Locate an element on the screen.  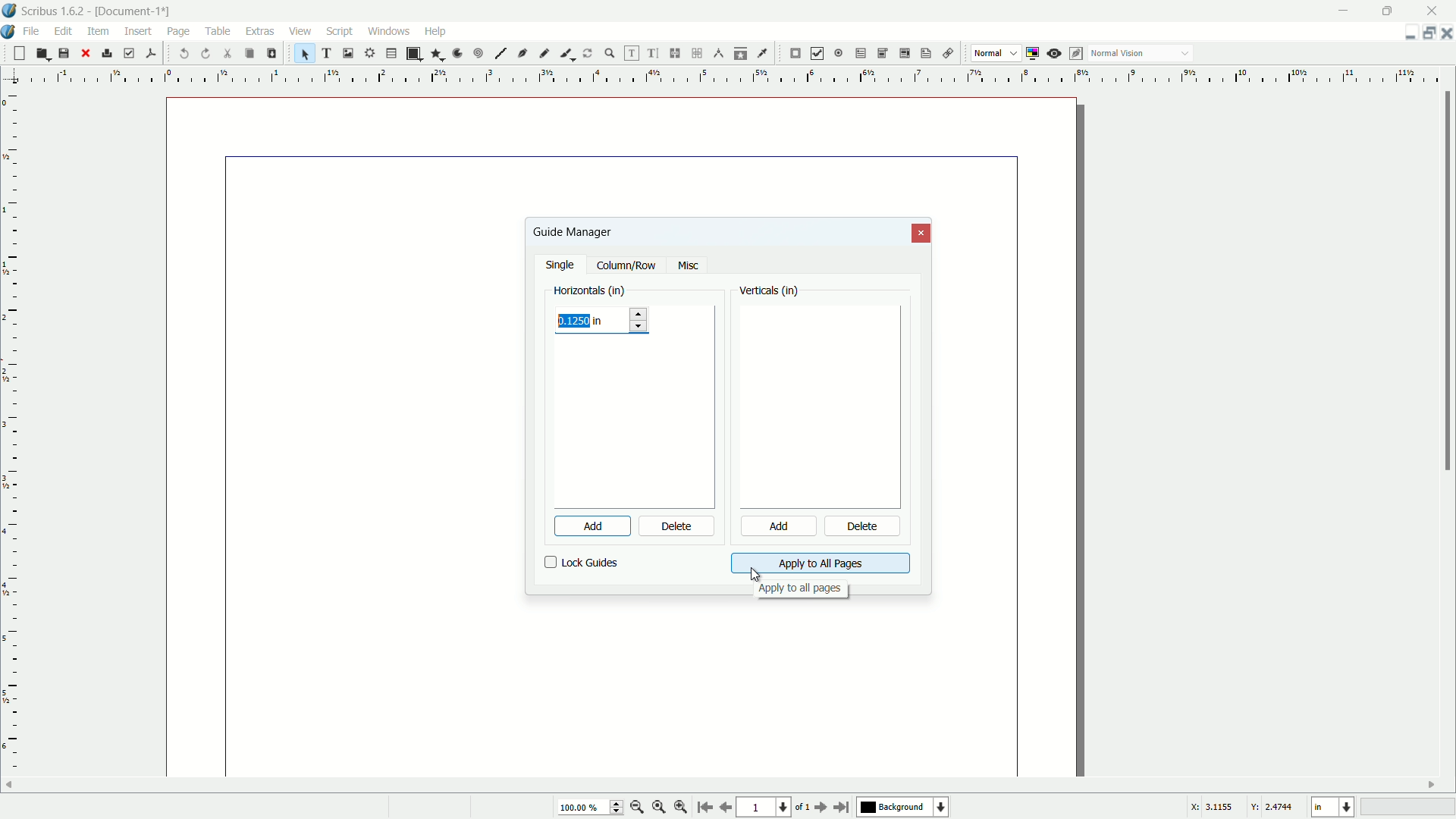
table menu is located at coordinates (218, 30).